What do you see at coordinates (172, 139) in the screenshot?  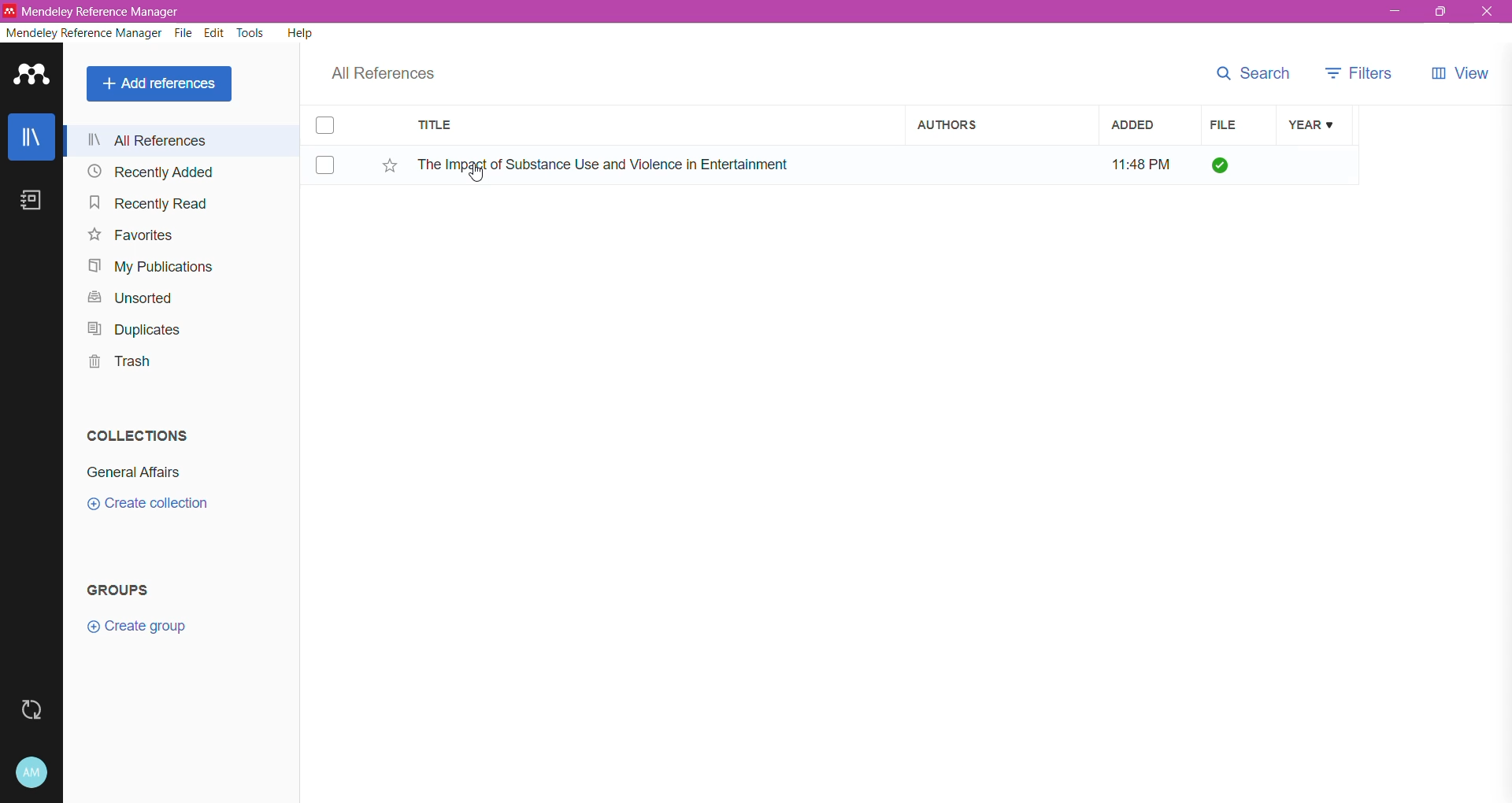 I see `All References` at bounding box center [172, 139].